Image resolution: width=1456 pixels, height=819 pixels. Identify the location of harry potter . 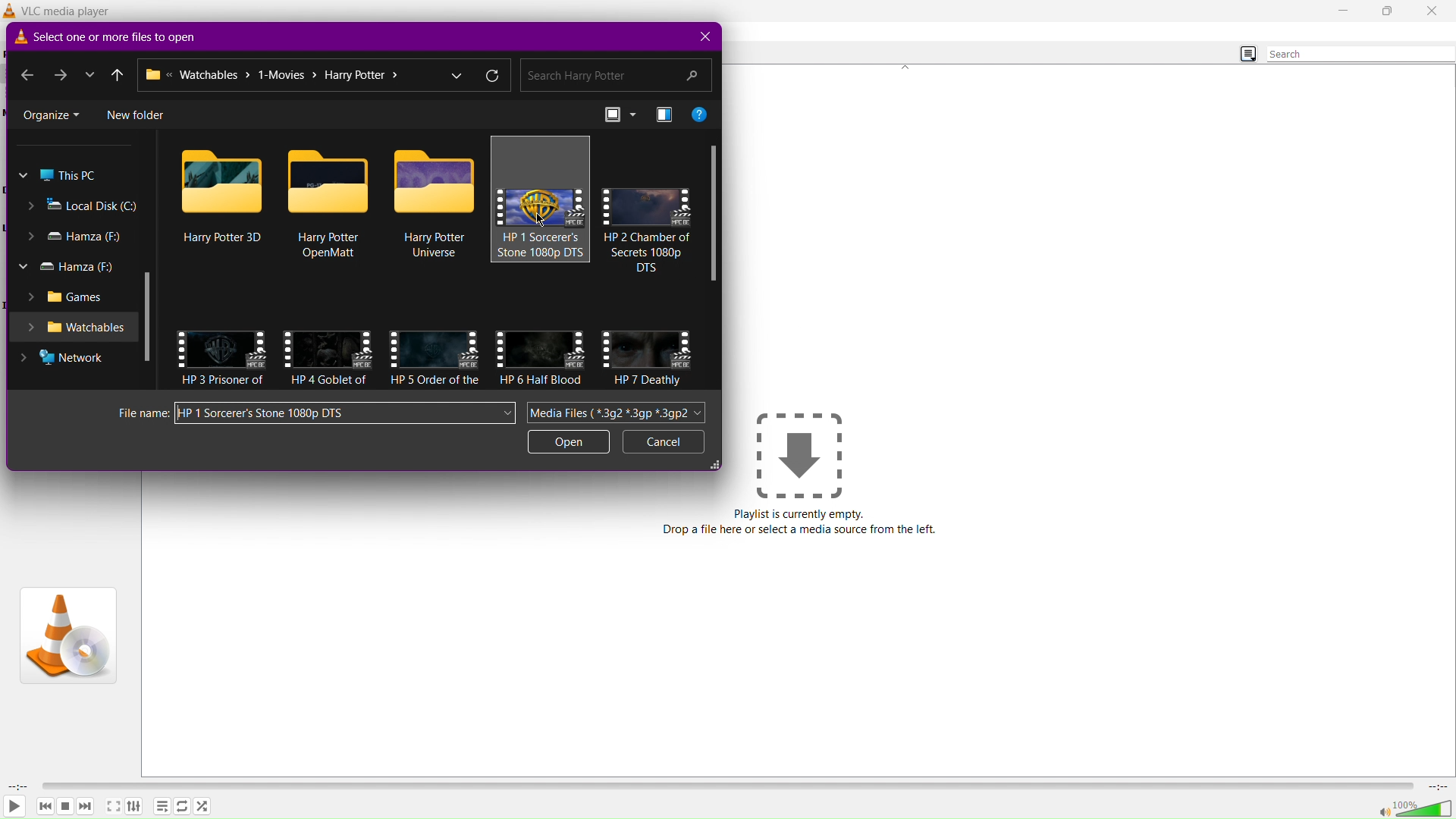
(221, 237).